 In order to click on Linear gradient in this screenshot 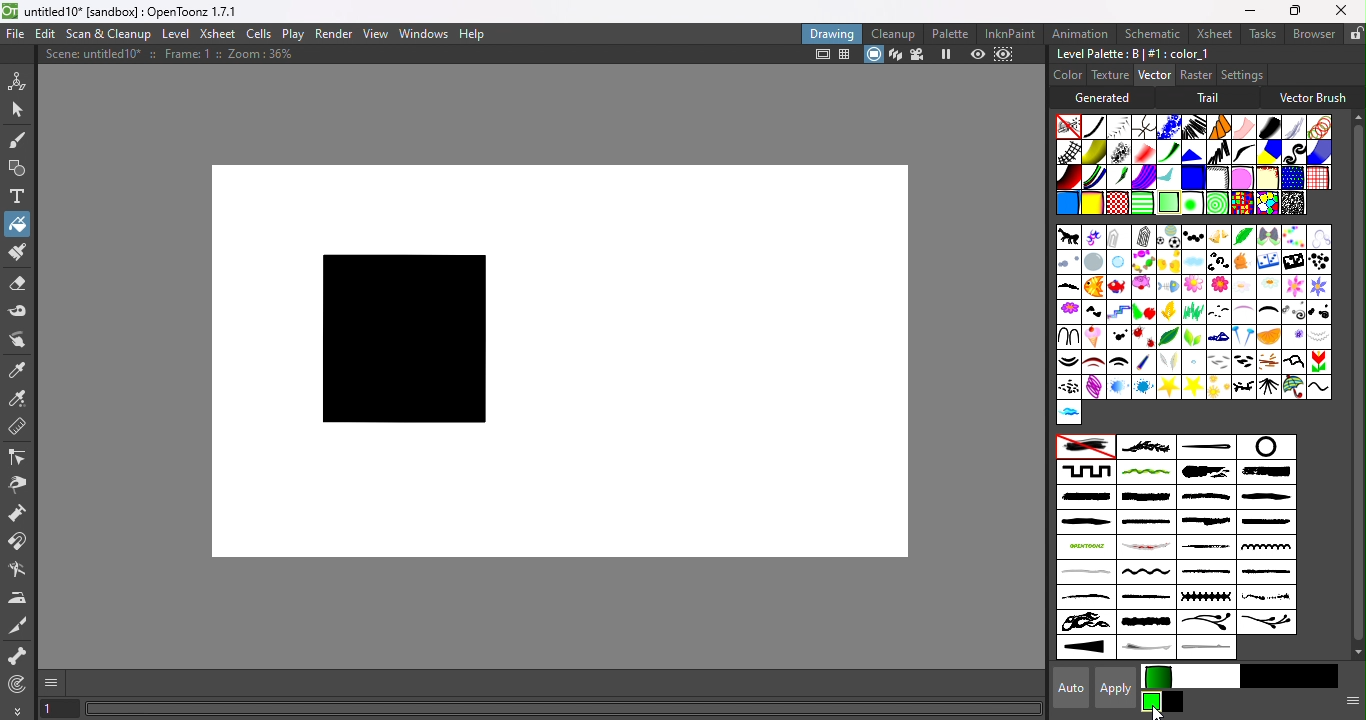, I will do `click(1167, 201)`.